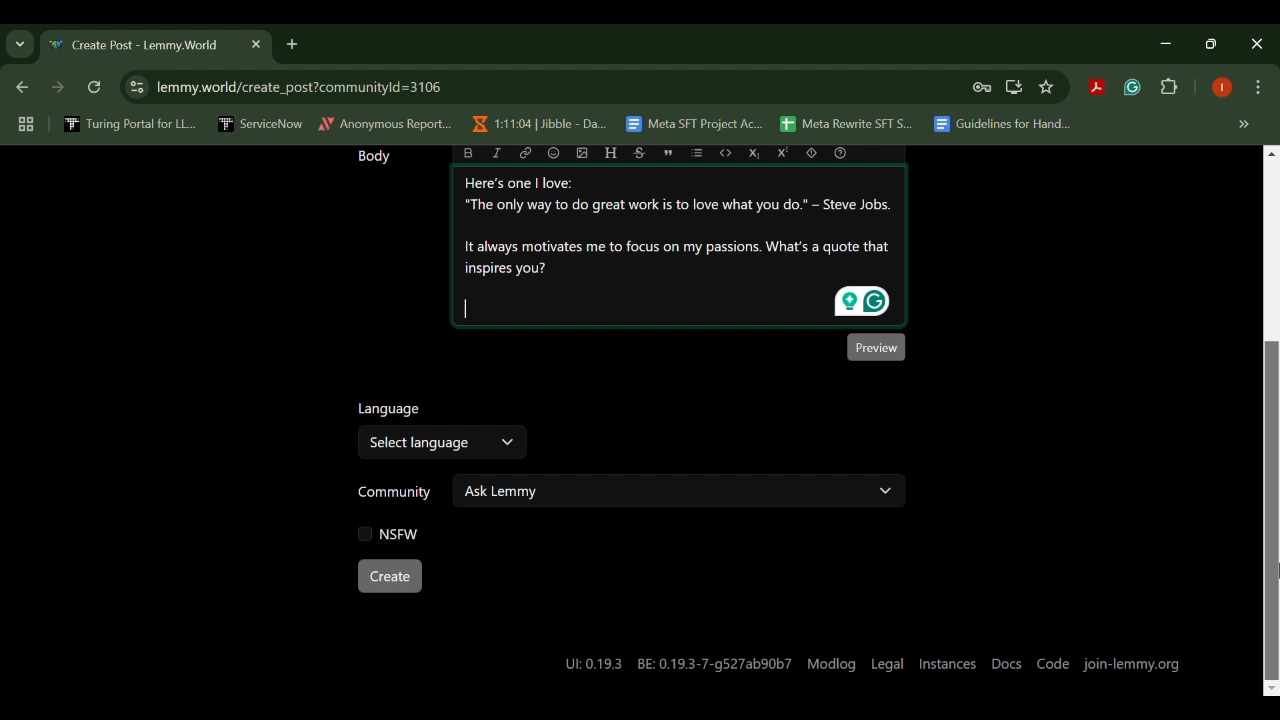 Image resolution: width=1280 pixels, height=720 pixels. Describe the element at coordinates (678, 664) in the screenshot. I see `UL0.19.3 BE: 0.19.3-7-g527ab90b7` at that location.